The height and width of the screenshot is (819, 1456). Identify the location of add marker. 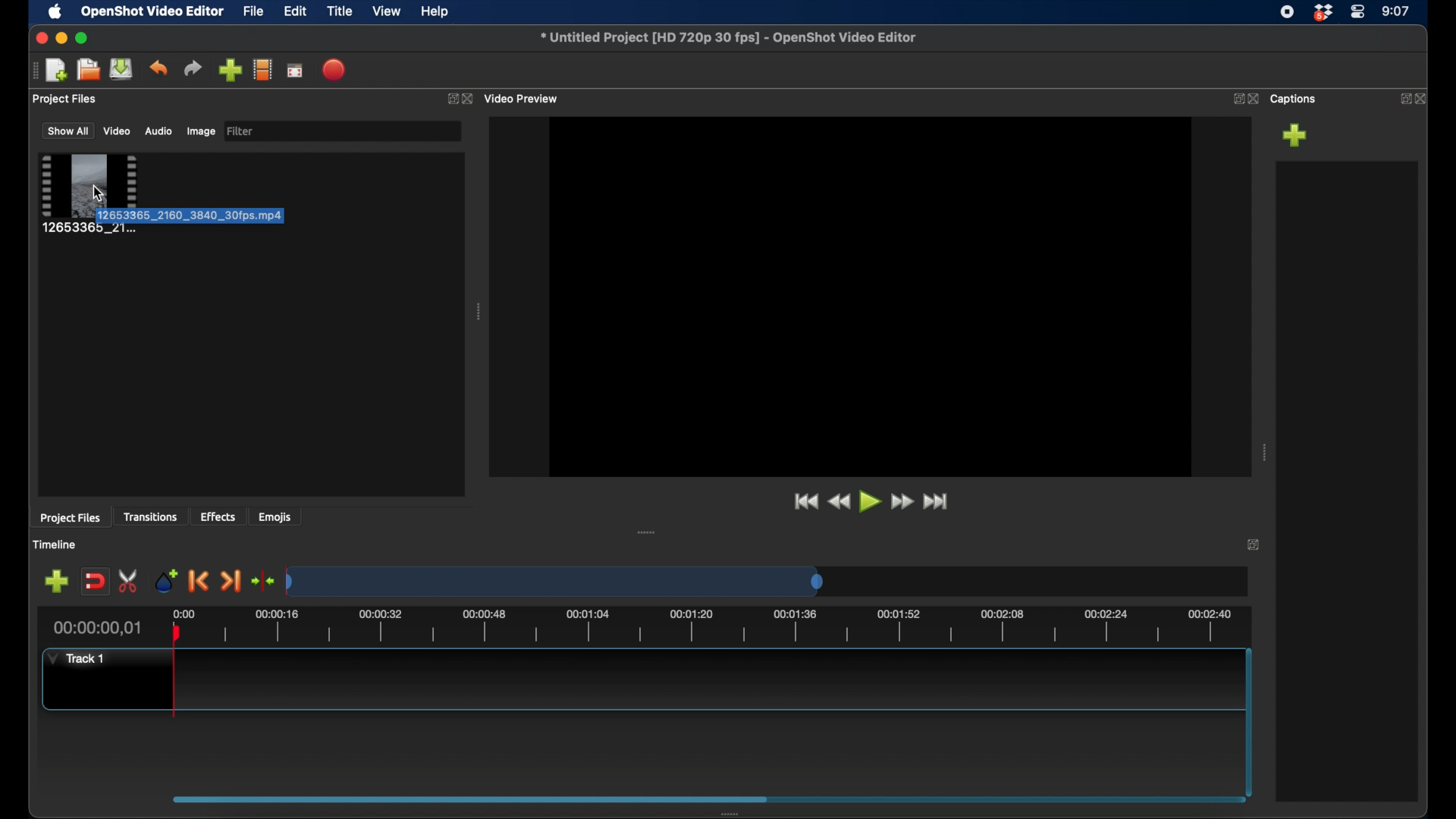
(168, 581).